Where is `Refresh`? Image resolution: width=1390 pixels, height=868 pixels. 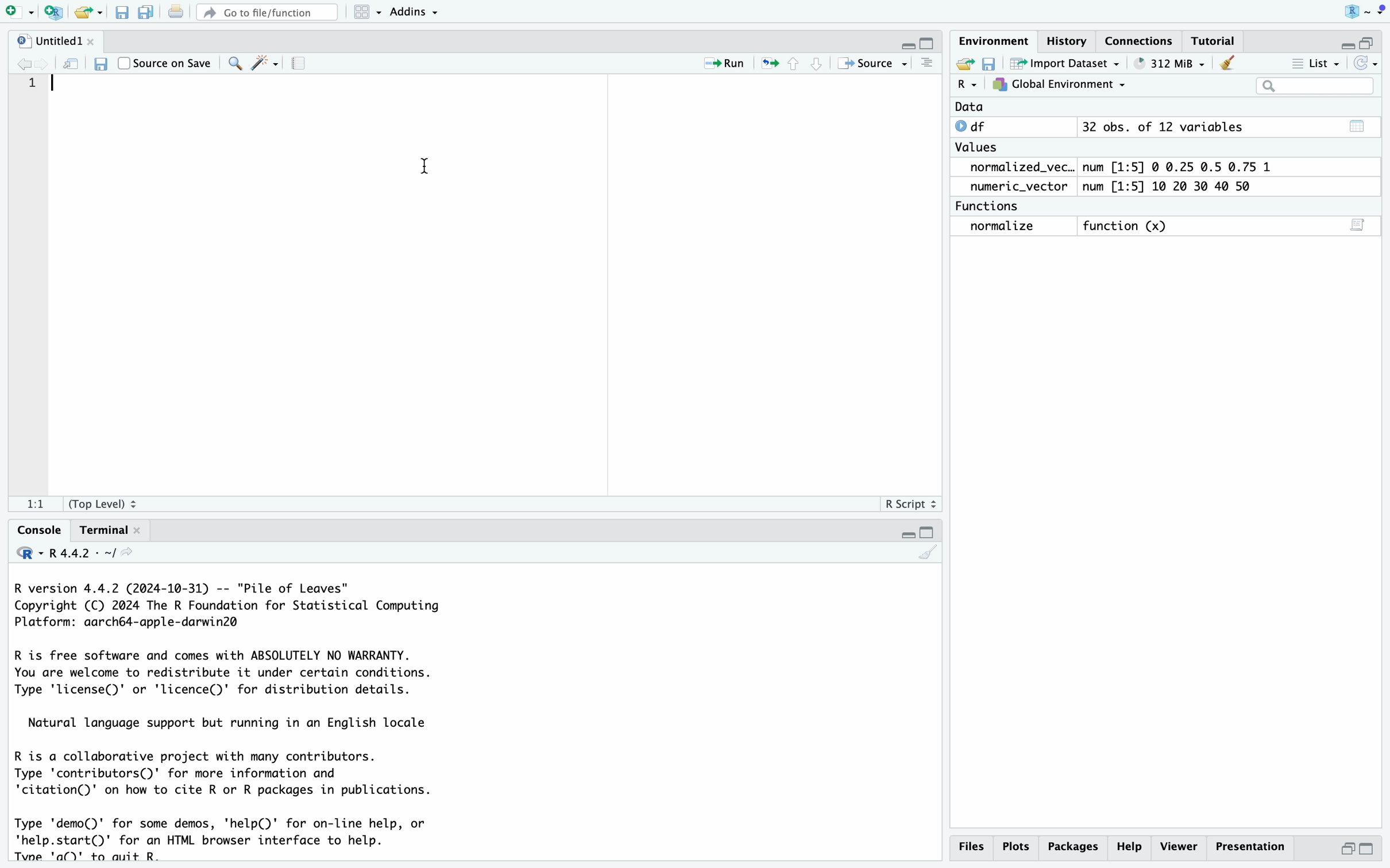
Refresh is located at coordinates (1369, 63).